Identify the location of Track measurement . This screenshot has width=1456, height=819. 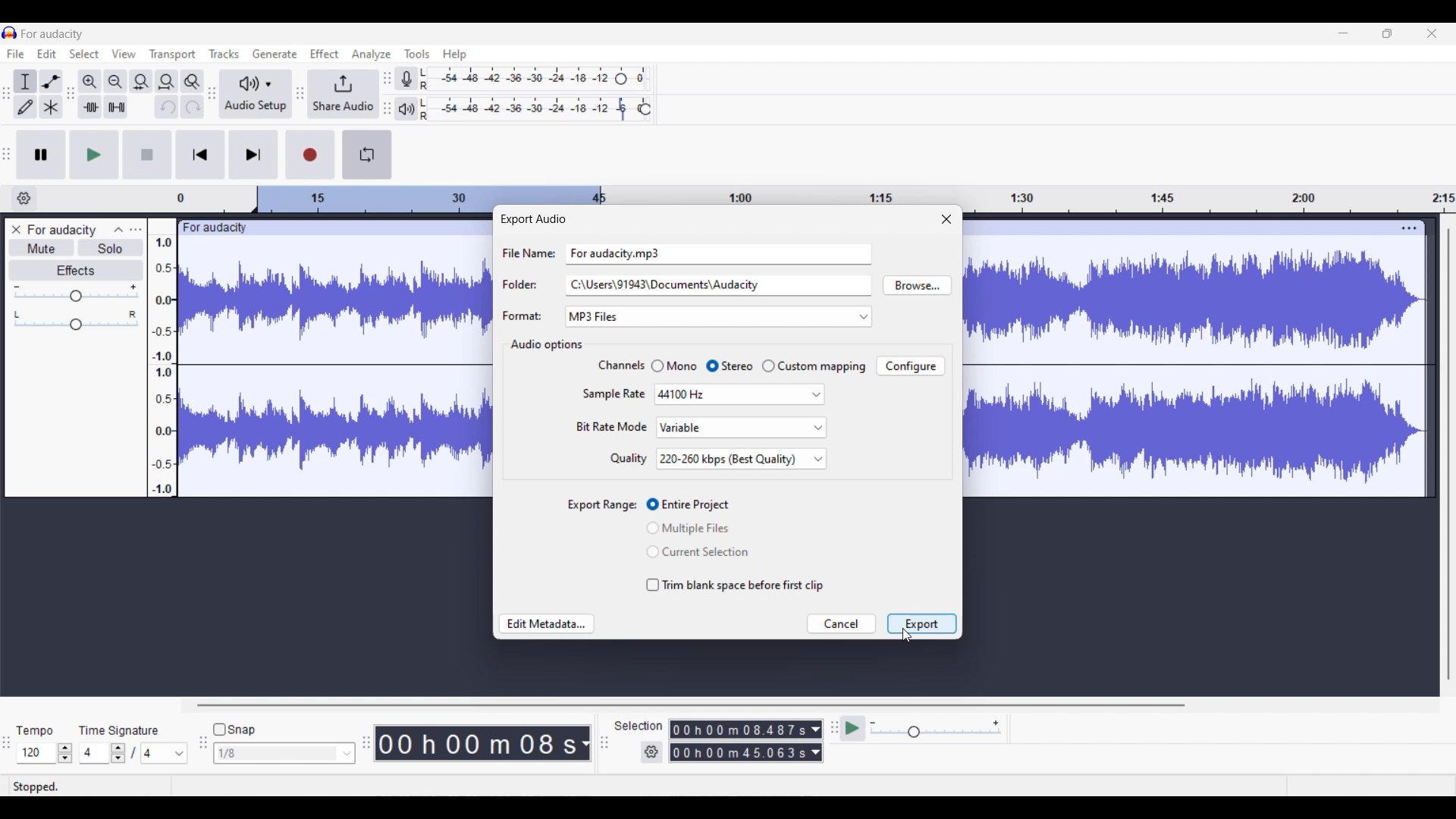
(584, 743).